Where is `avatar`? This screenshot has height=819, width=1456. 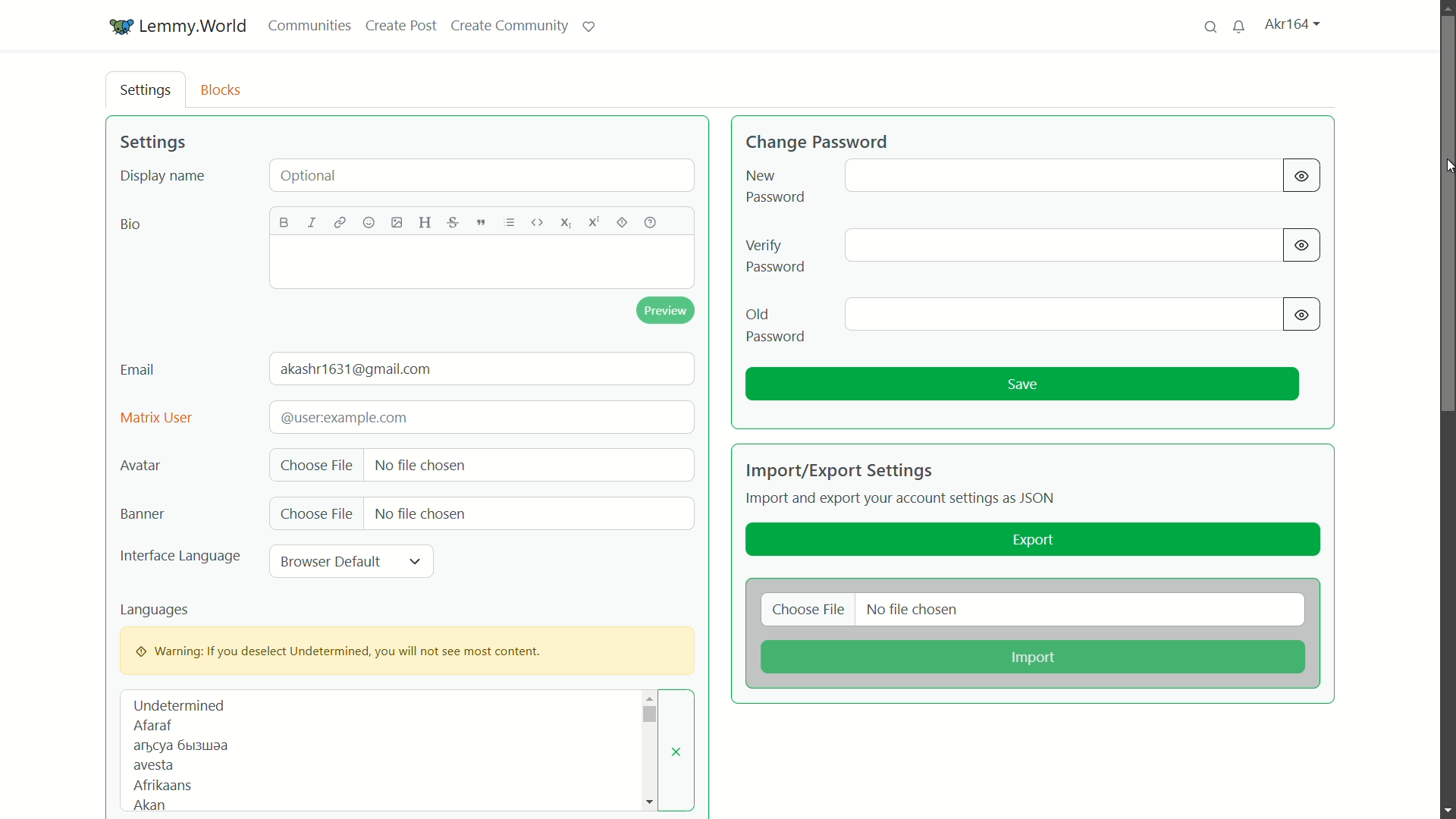
avatar is located at coordinates (139, 467).